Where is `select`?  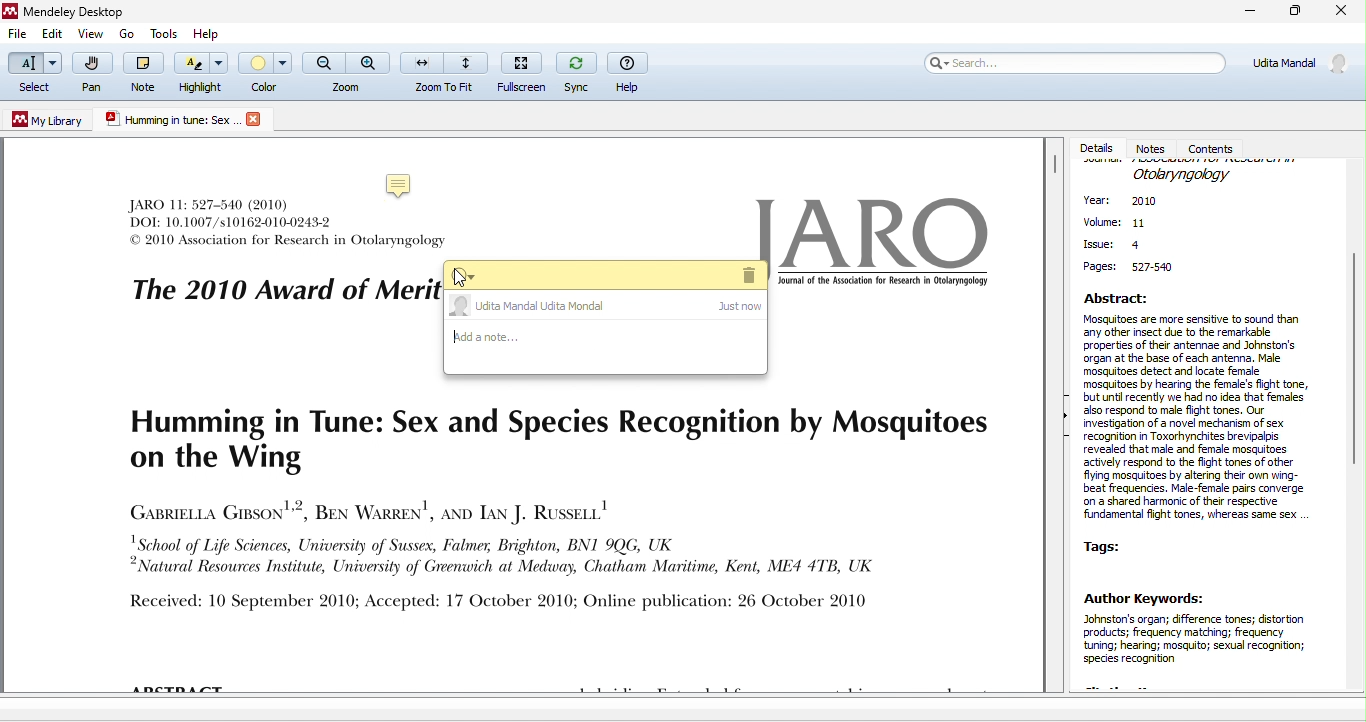 select is located at coordinates (33, 74).